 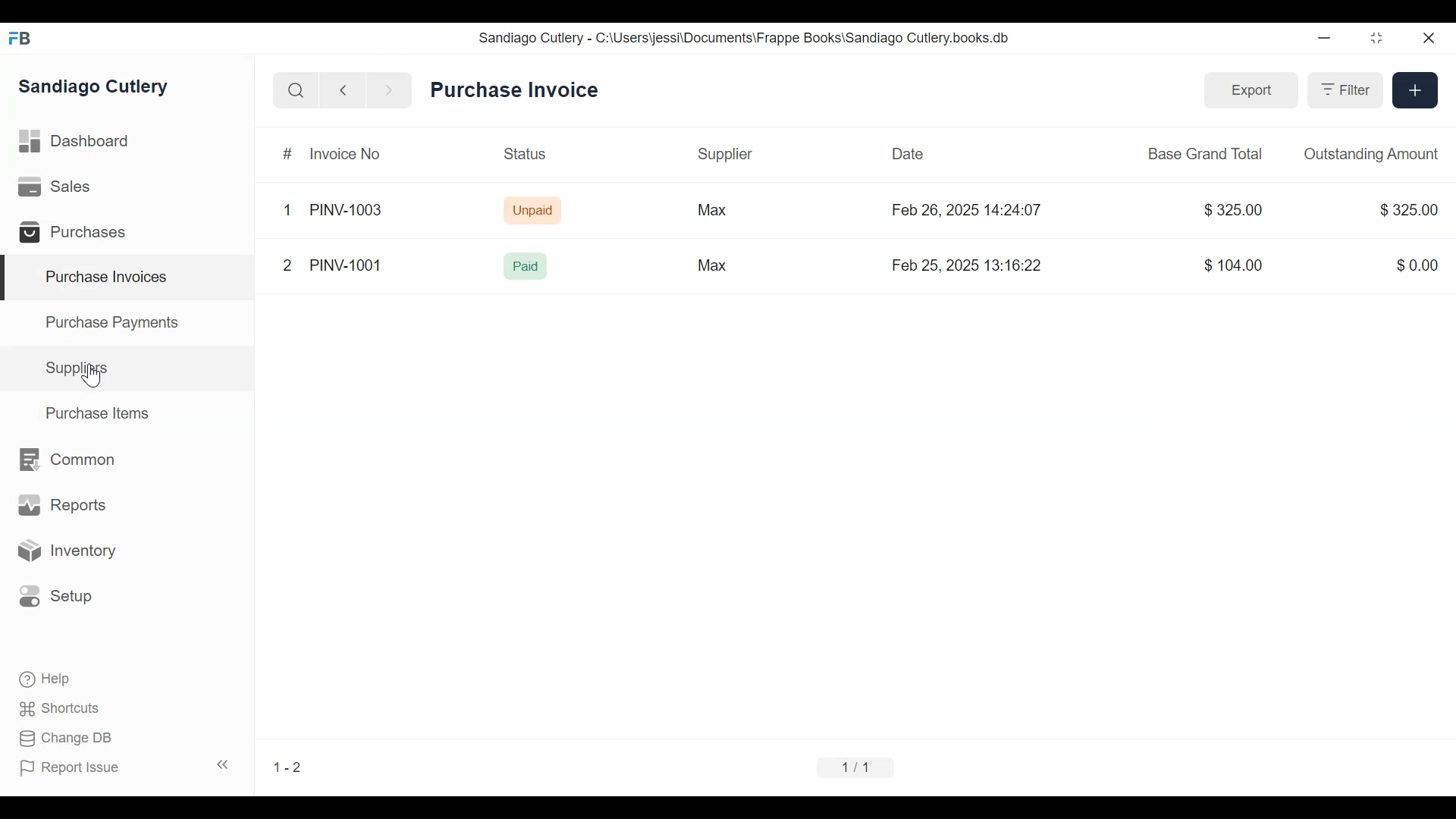 What do you see at coordinates (74, 551) in the screenshot?
I see `Inventory` at bounding box center [74, 551].